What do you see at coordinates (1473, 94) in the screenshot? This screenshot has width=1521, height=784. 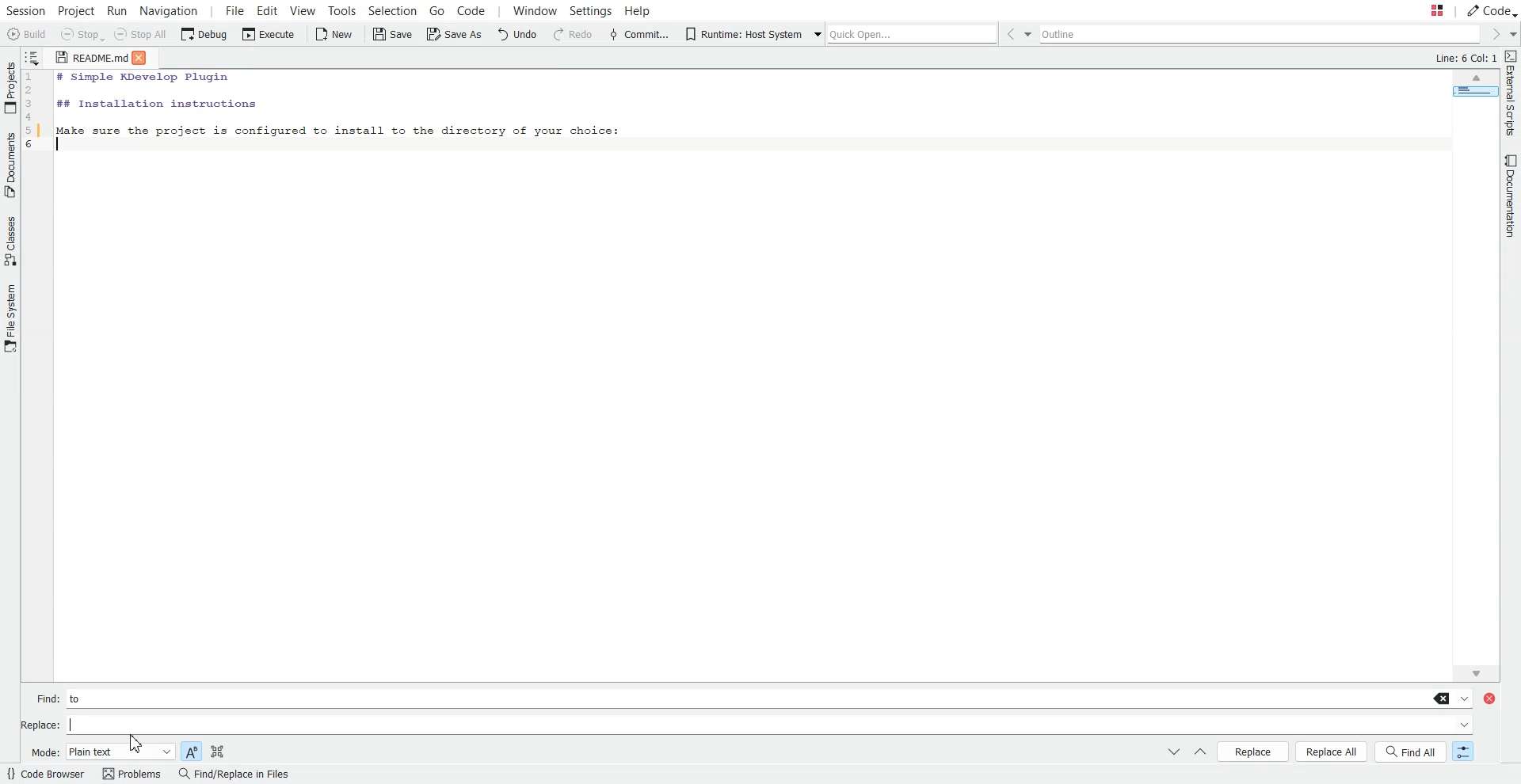 I see `Page Overview` at bounding box center [1473, 94].